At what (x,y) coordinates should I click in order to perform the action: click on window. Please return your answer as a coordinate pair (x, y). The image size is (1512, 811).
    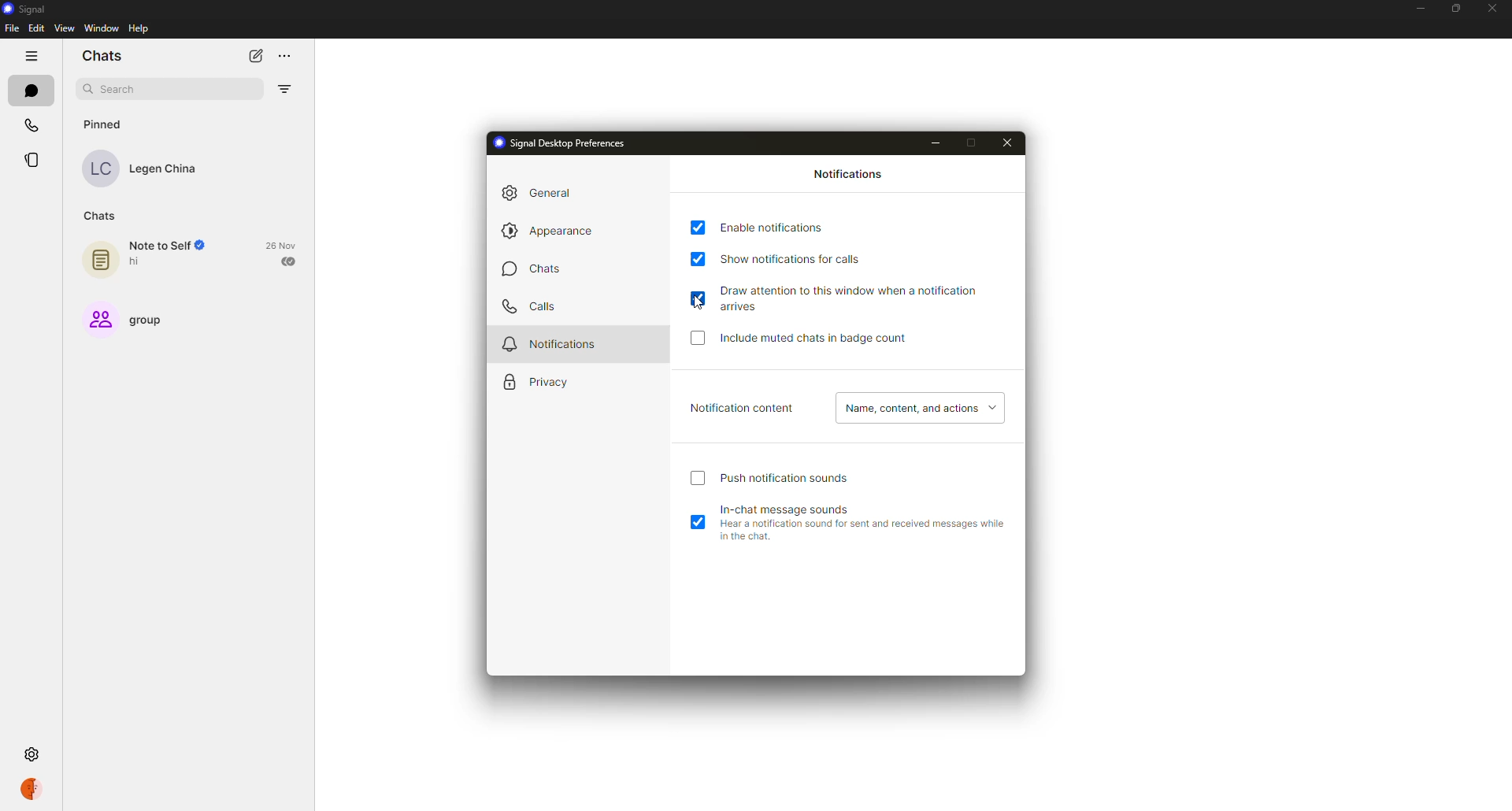
    Looking at the image, I should click on (97, 29).